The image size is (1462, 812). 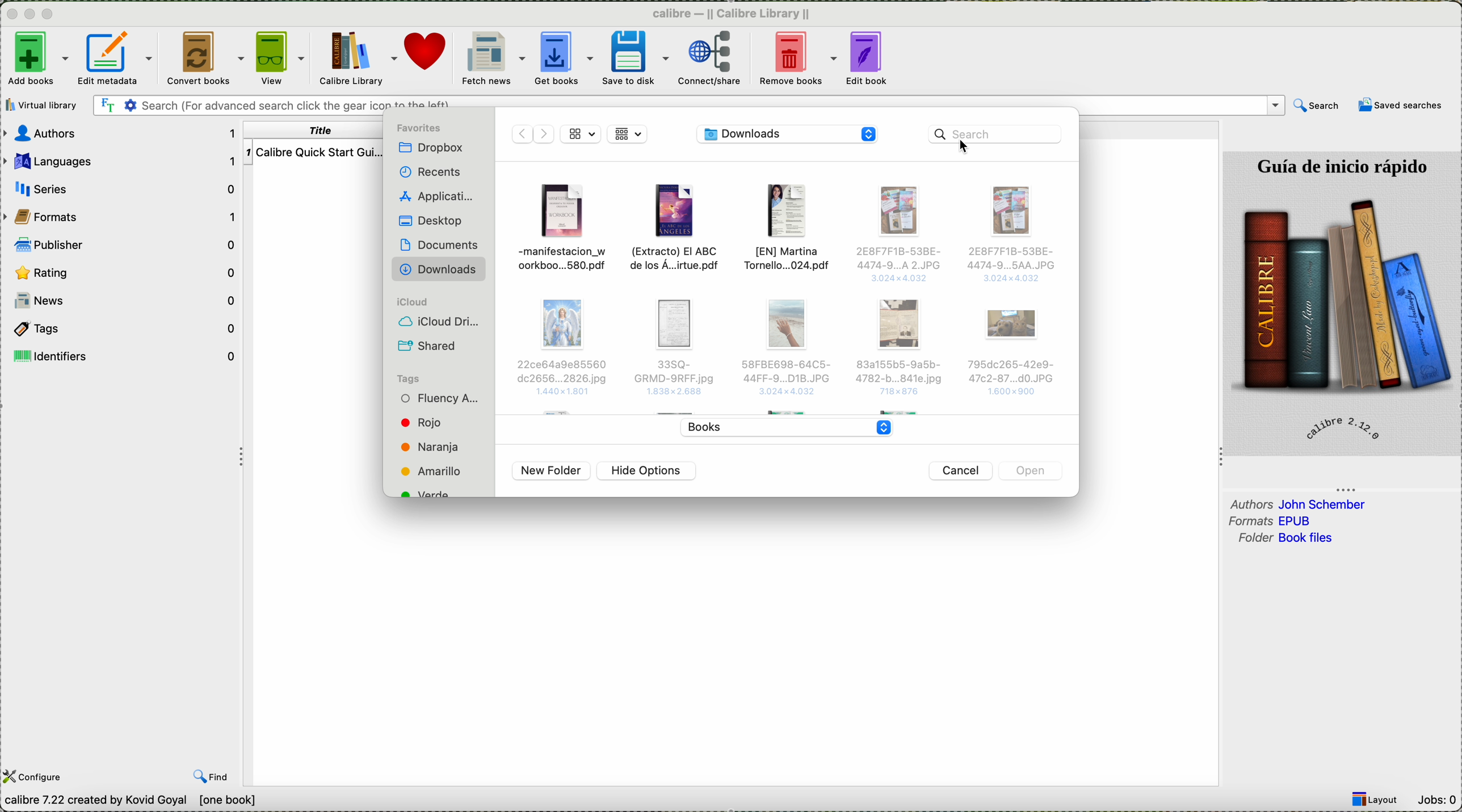 I want to click on shared, so click(x=431, y=346).